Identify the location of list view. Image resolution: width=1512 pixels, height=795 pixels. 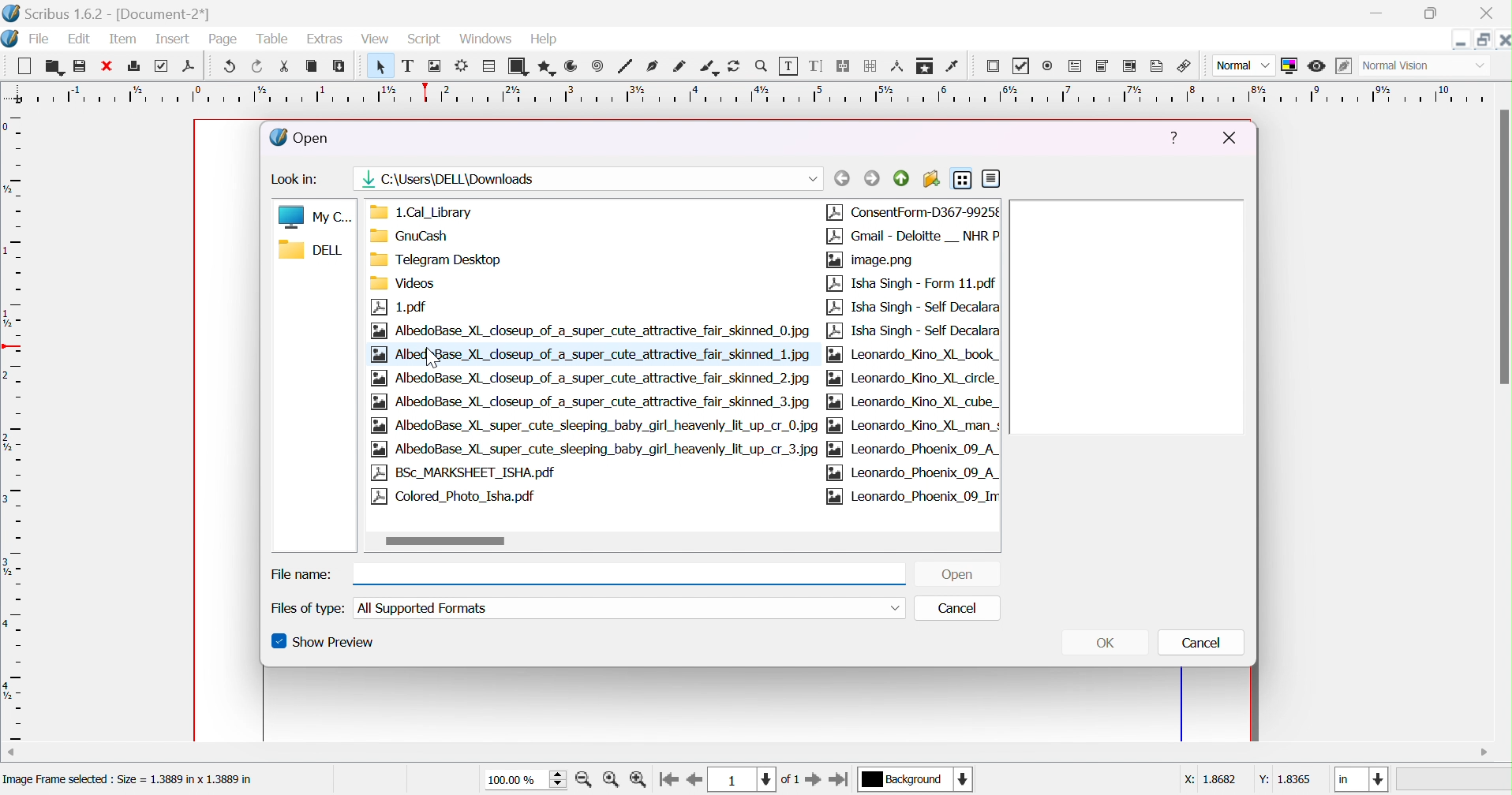
(963, 180).